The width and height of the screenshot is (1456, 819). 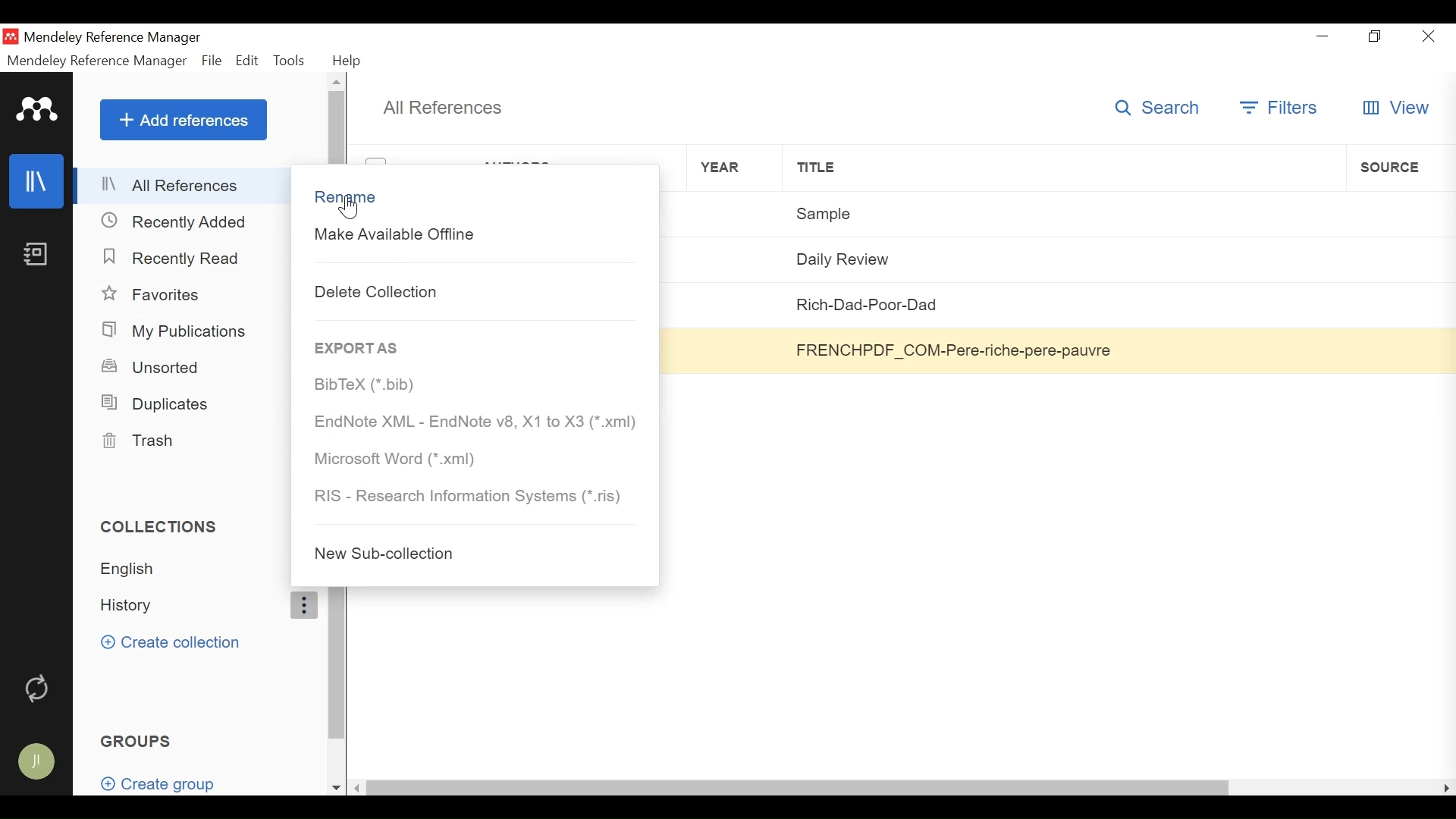 What do you see at coordinates (736, 304) in the screenshot?
I see `Year` at bounding box center [736, 304].